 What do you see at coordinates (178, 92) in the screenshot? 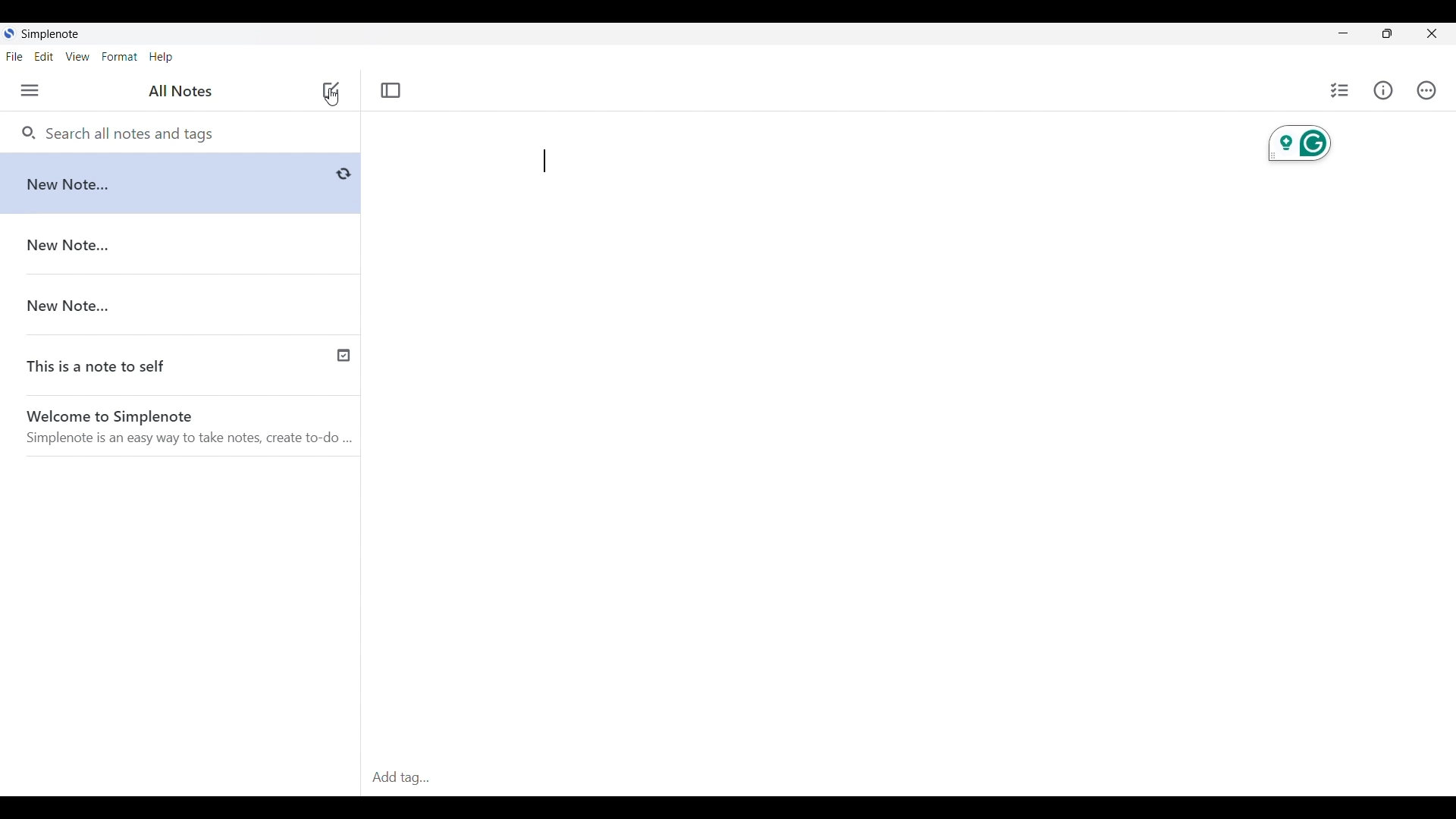
I see `All Notes` at bounding box center [178, 92].